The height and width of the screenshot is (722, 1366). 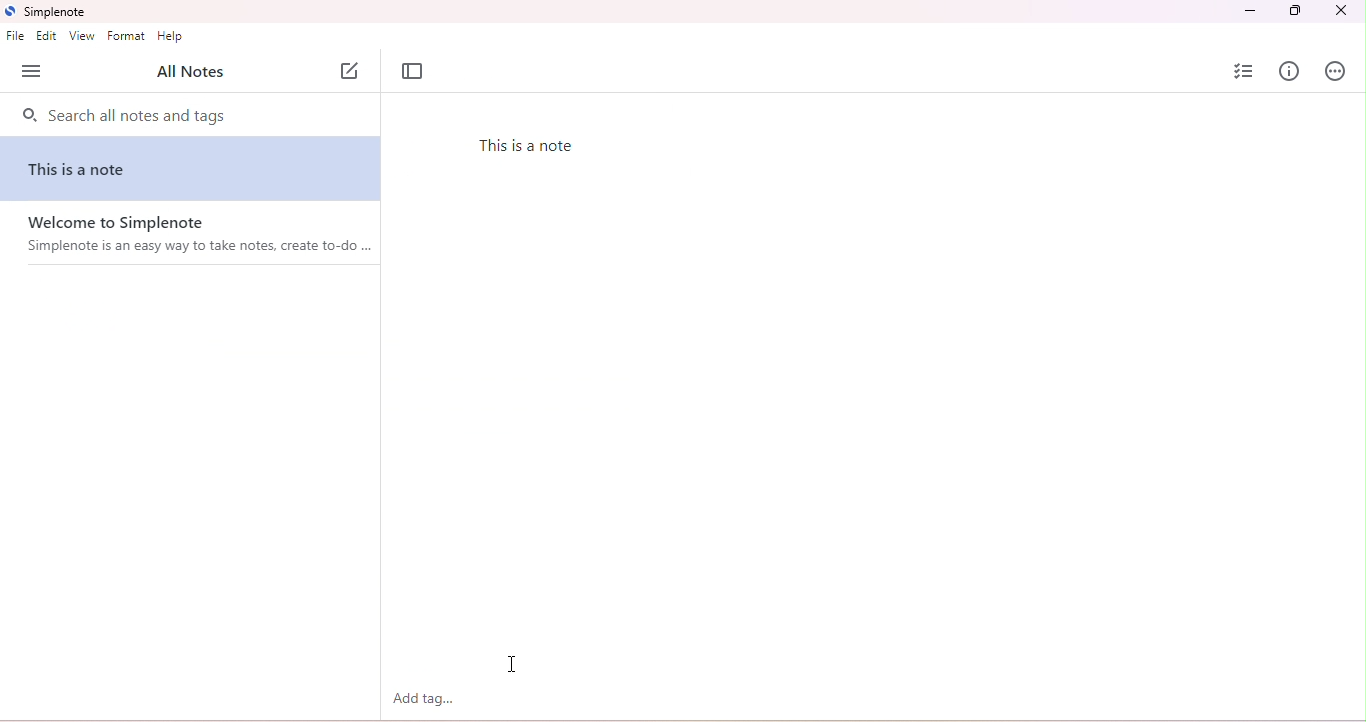 I want to click on info, so click(x=1290, y=71).